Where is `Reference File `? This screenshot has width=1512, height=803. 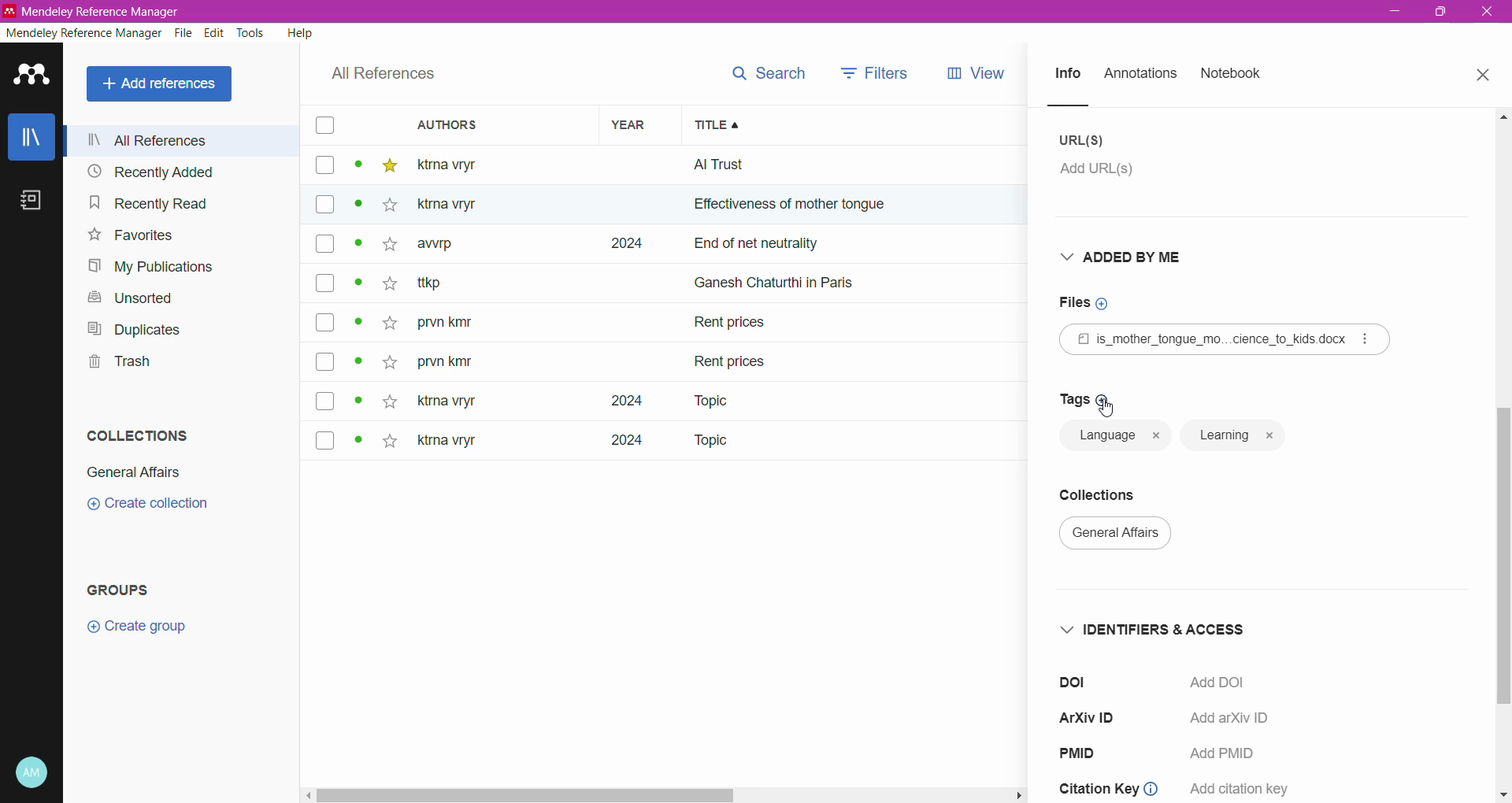 Reference File  is located at coordinates (1225, 339).